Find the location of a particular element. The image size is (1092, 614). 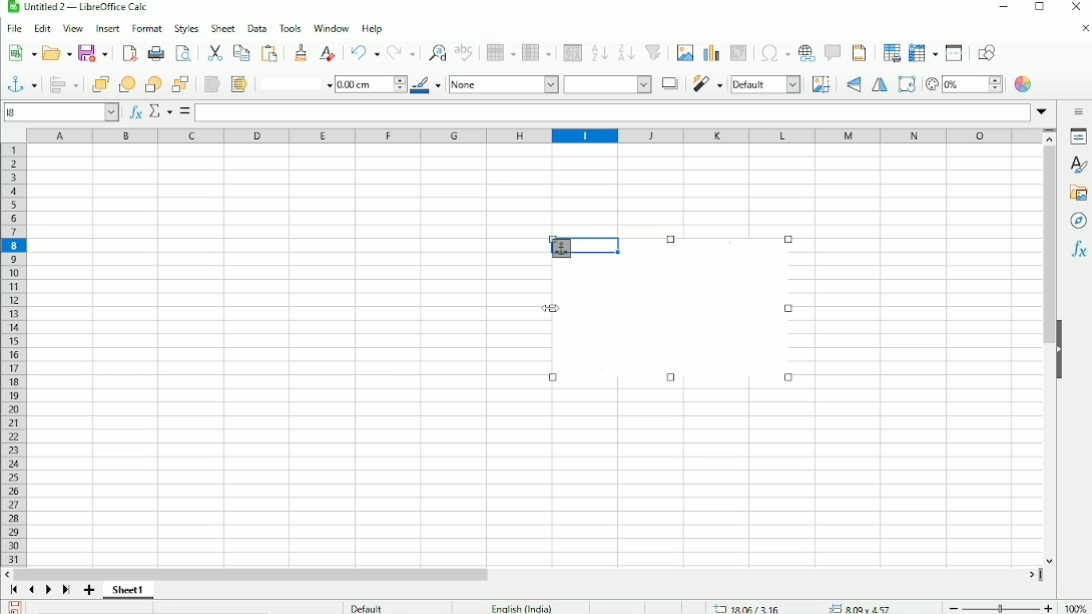

Shadow is located at coordinates (669, 83).